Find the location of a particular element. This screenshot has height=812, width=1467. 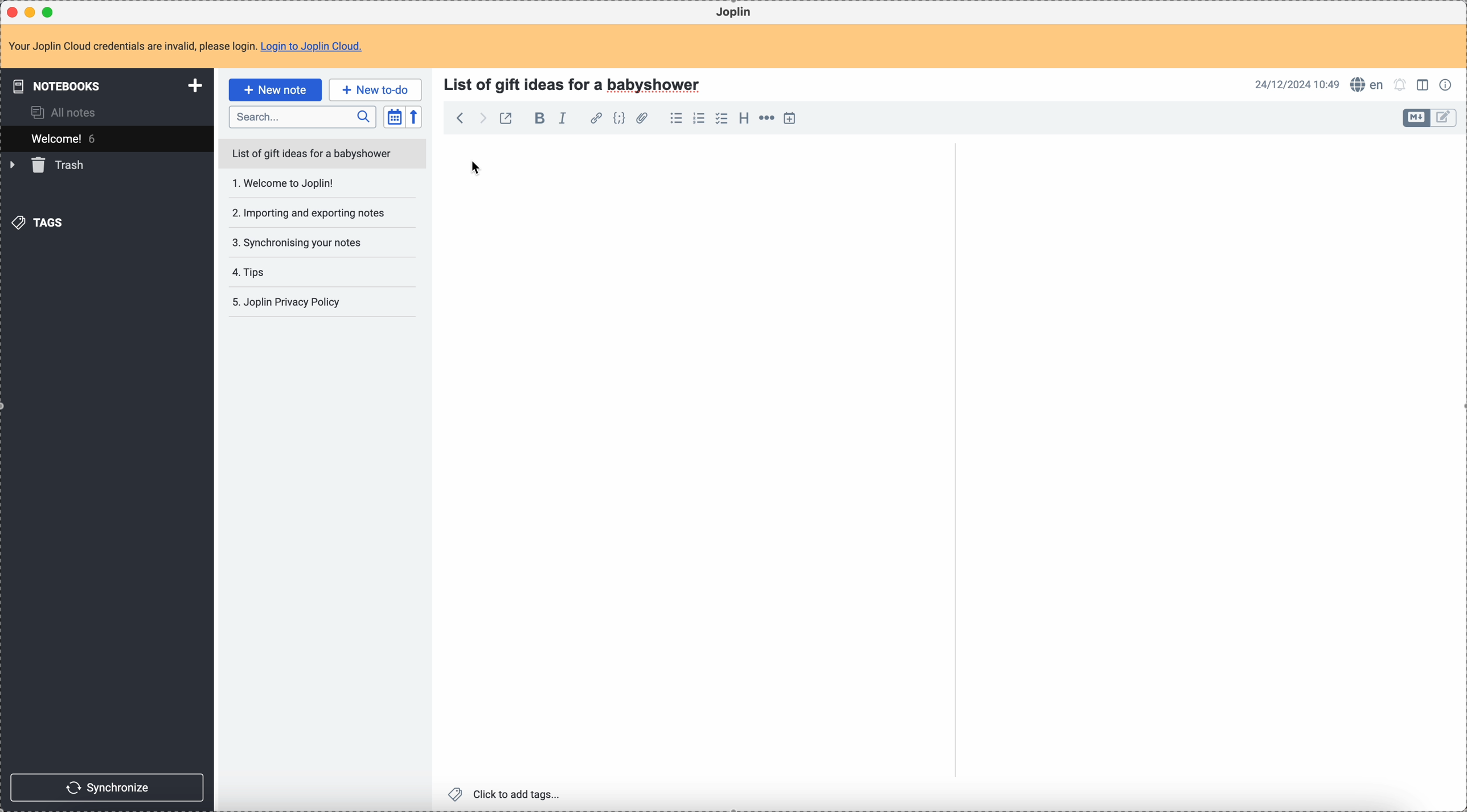

all notes is located at coordinates (65, 112).